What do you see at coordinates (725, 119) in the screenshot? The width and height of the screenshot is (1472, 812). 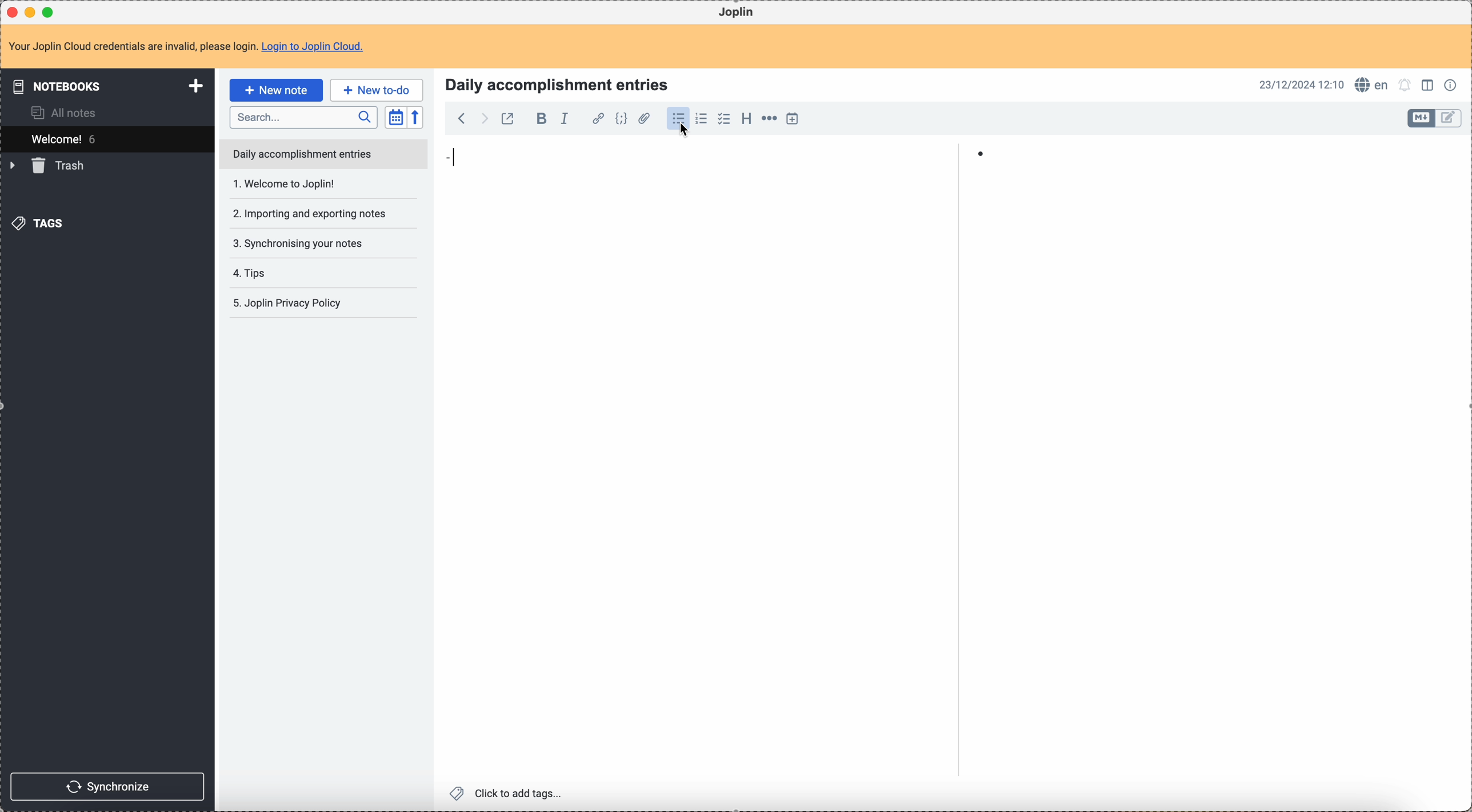 I see `checkbox` at bounding box center [725, 119].